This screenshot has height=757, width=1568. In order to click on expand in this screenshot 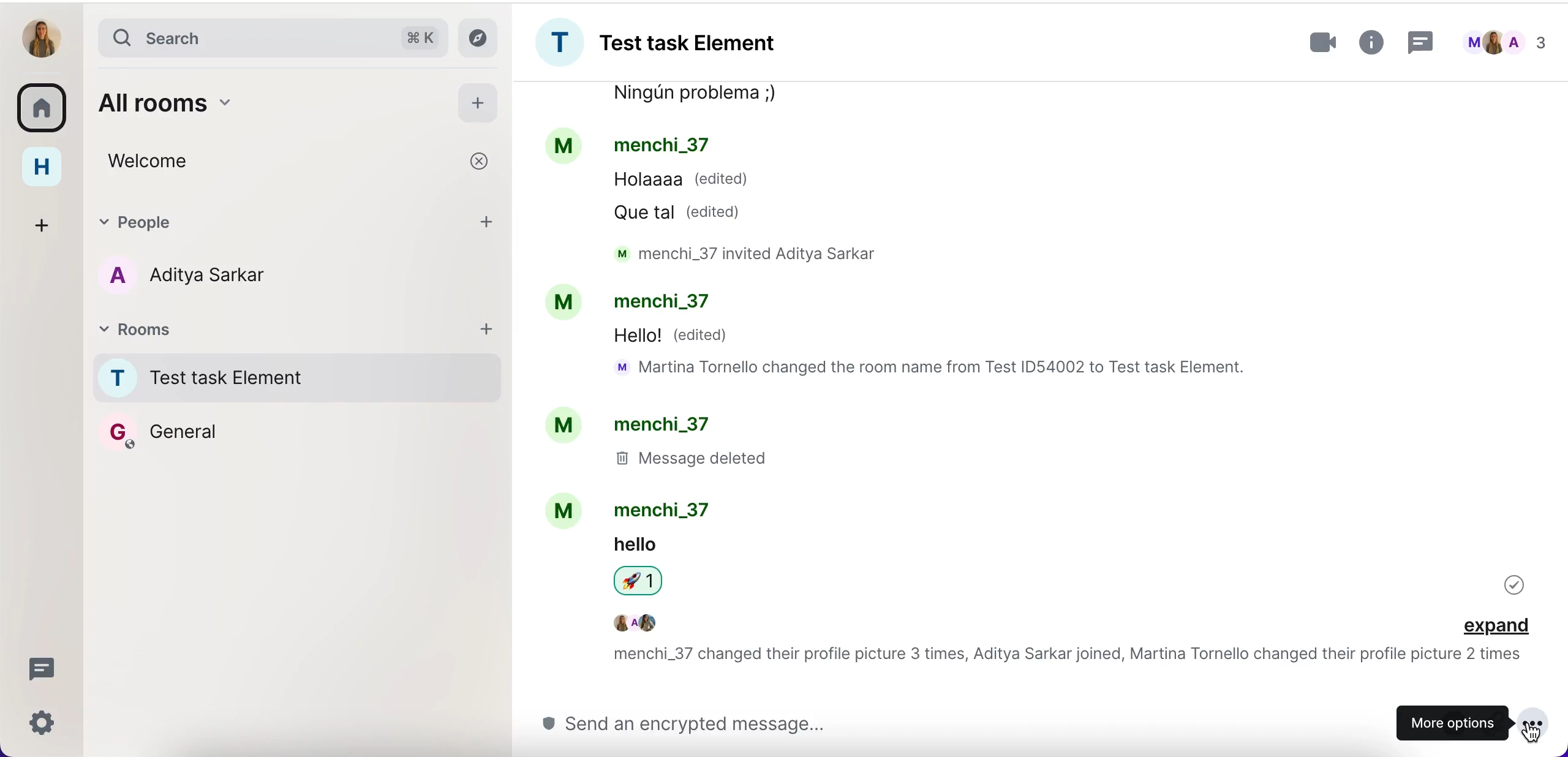, I will do `click(1497, 625)`.